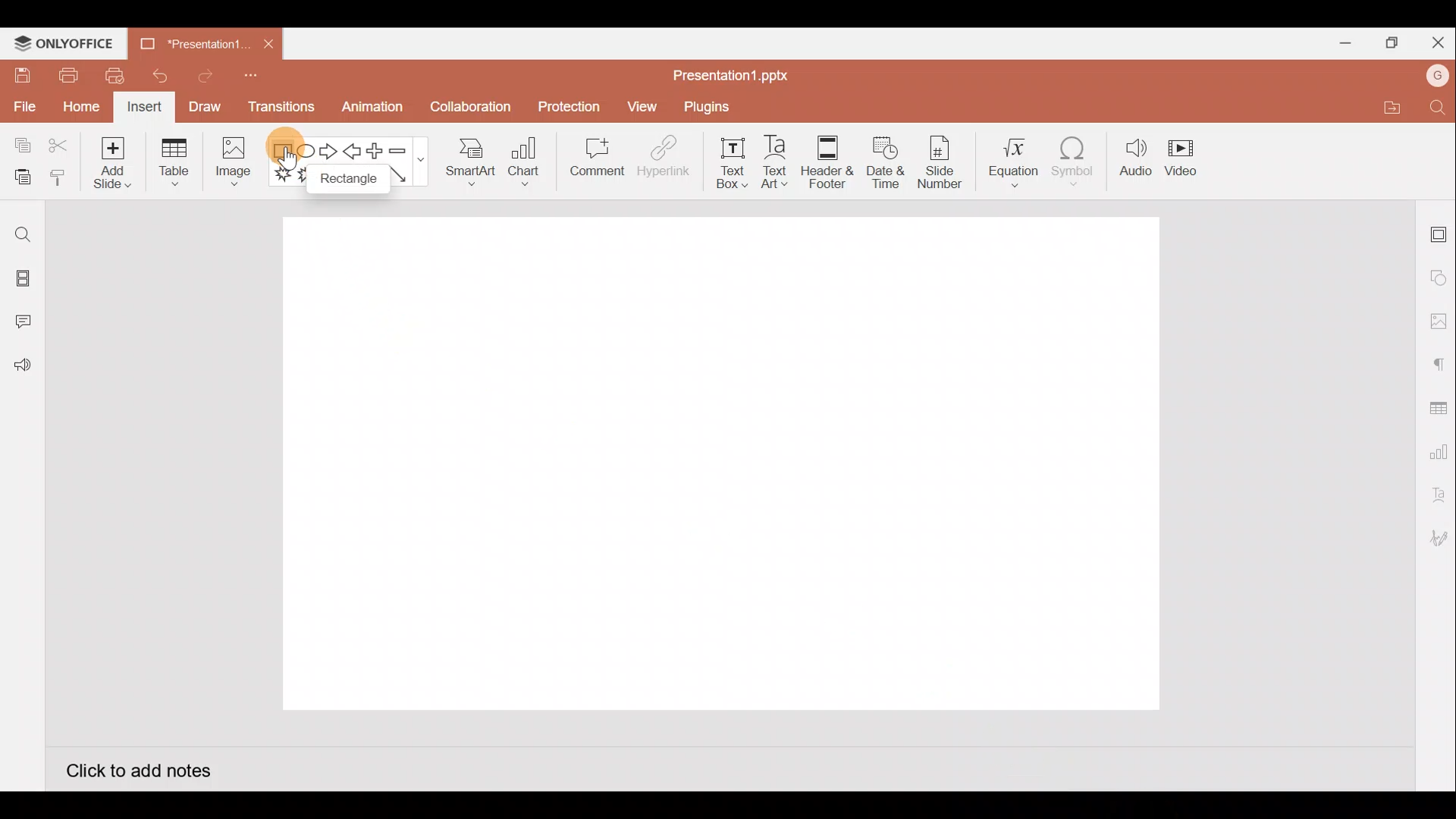 The image size is (1456, 819). What do you see at coordinates (194, 39) in the screenshot?
I see `Presentation1...` at bounding box center [194, 39].